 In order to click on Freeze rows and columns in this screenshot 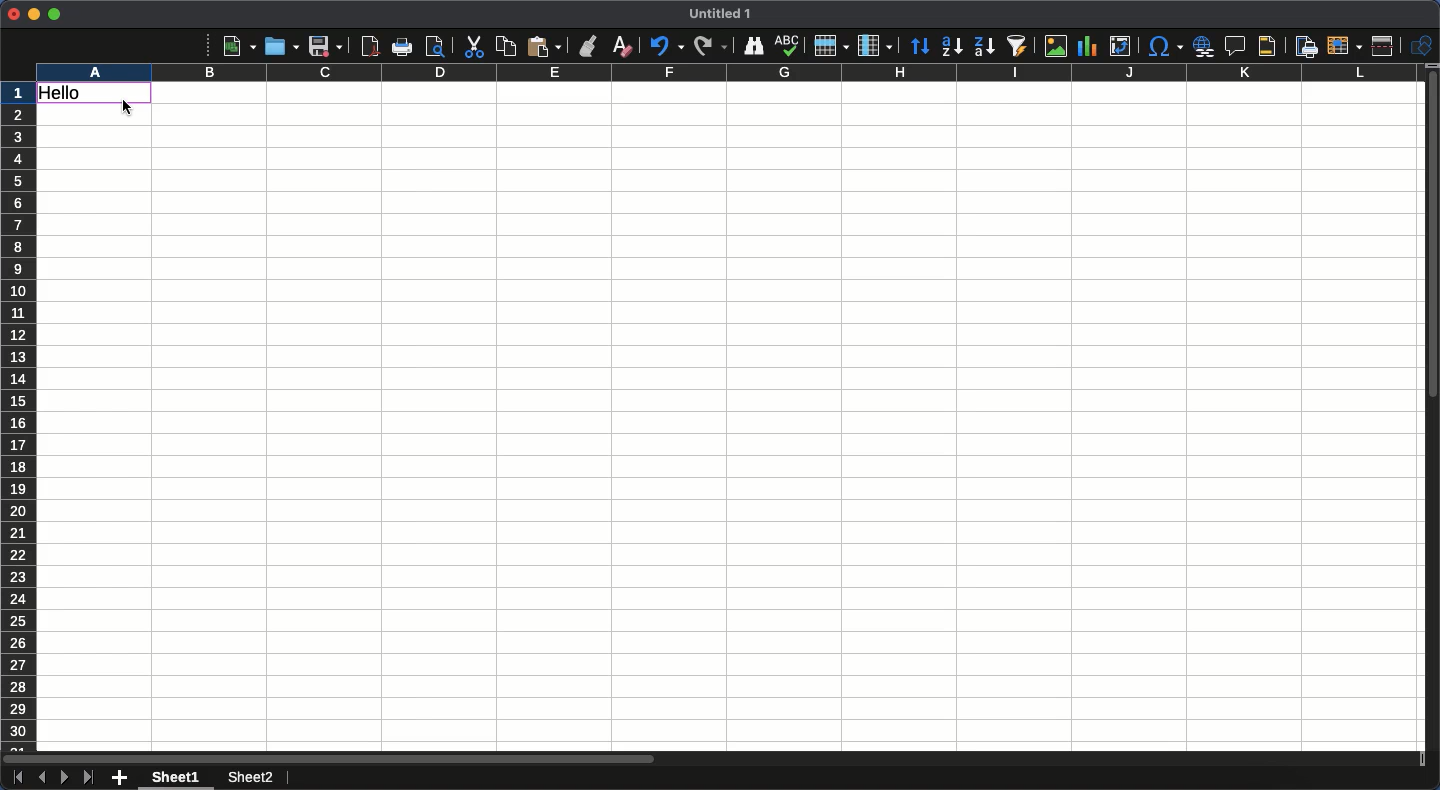, I will do `click(1345, 44)`.